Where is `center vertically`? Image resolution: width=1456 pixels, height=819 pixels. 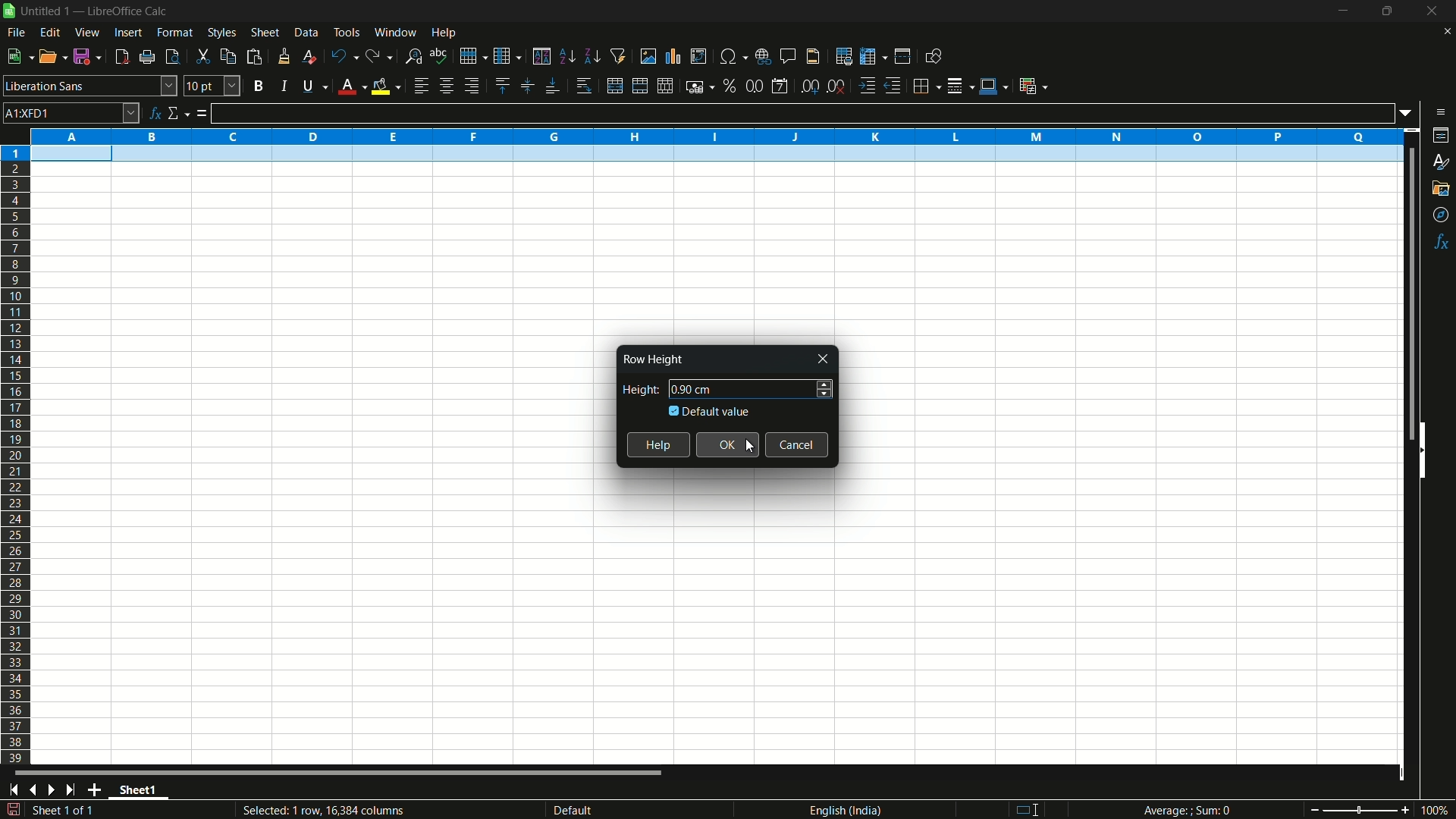
center vertically is located at coordinates (526, 86).